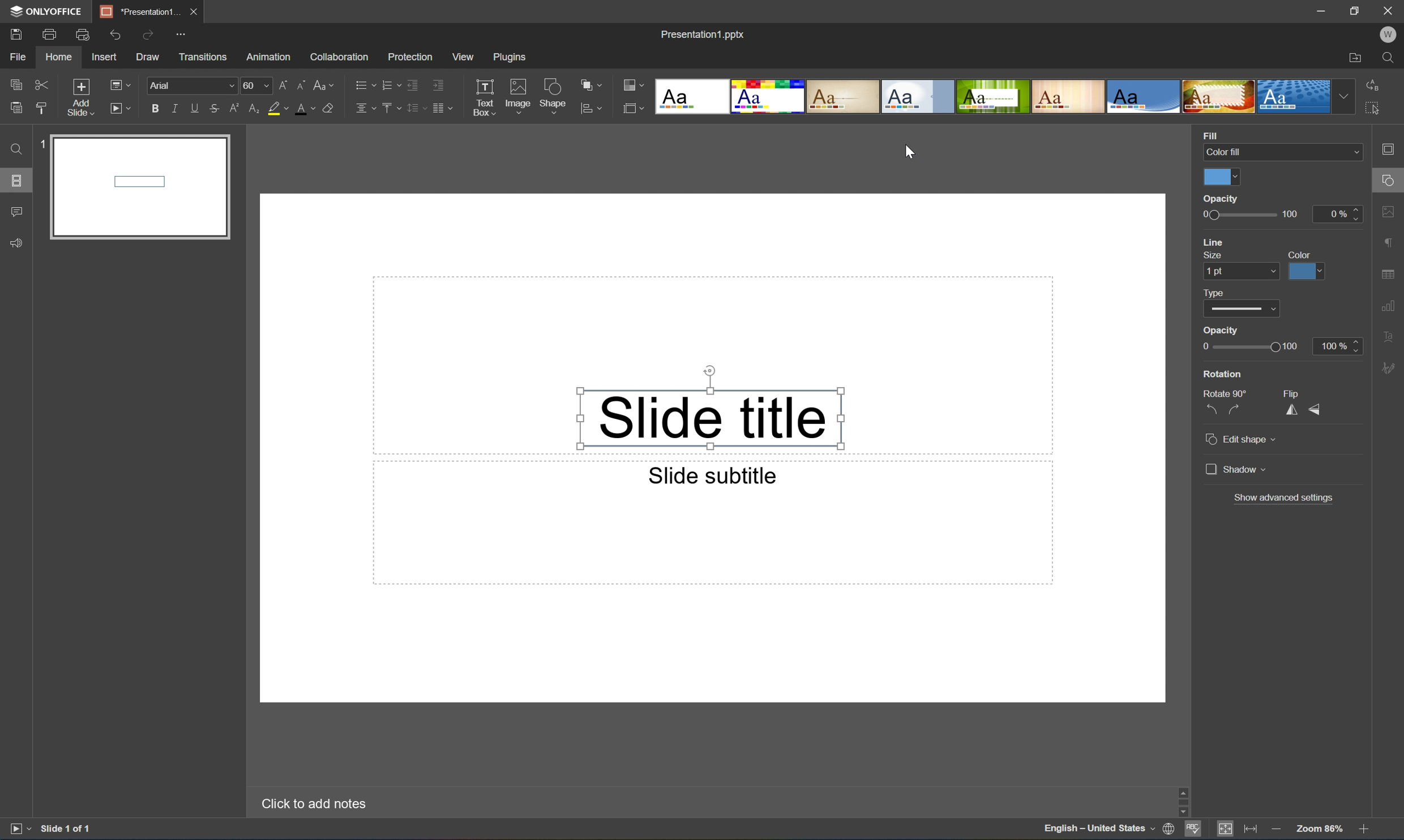 The width and height of the screenshot is (1404, 840). Describe the element at coordinates (16, 831) in the screenshot. I see `Start slideshow` at that location.